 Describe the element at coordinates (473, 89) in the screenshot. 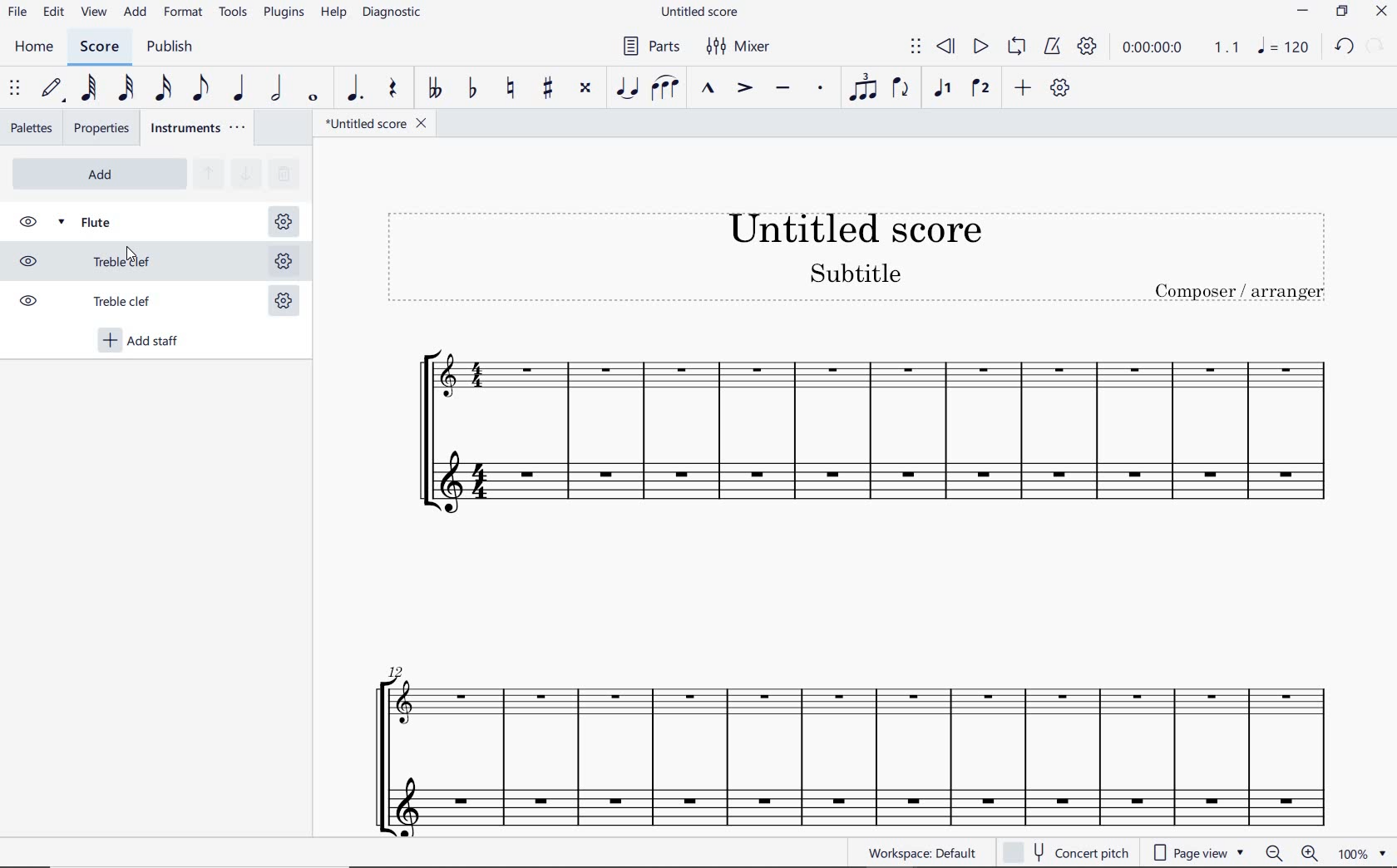

I see `TOGGLE FLAT` at that location.